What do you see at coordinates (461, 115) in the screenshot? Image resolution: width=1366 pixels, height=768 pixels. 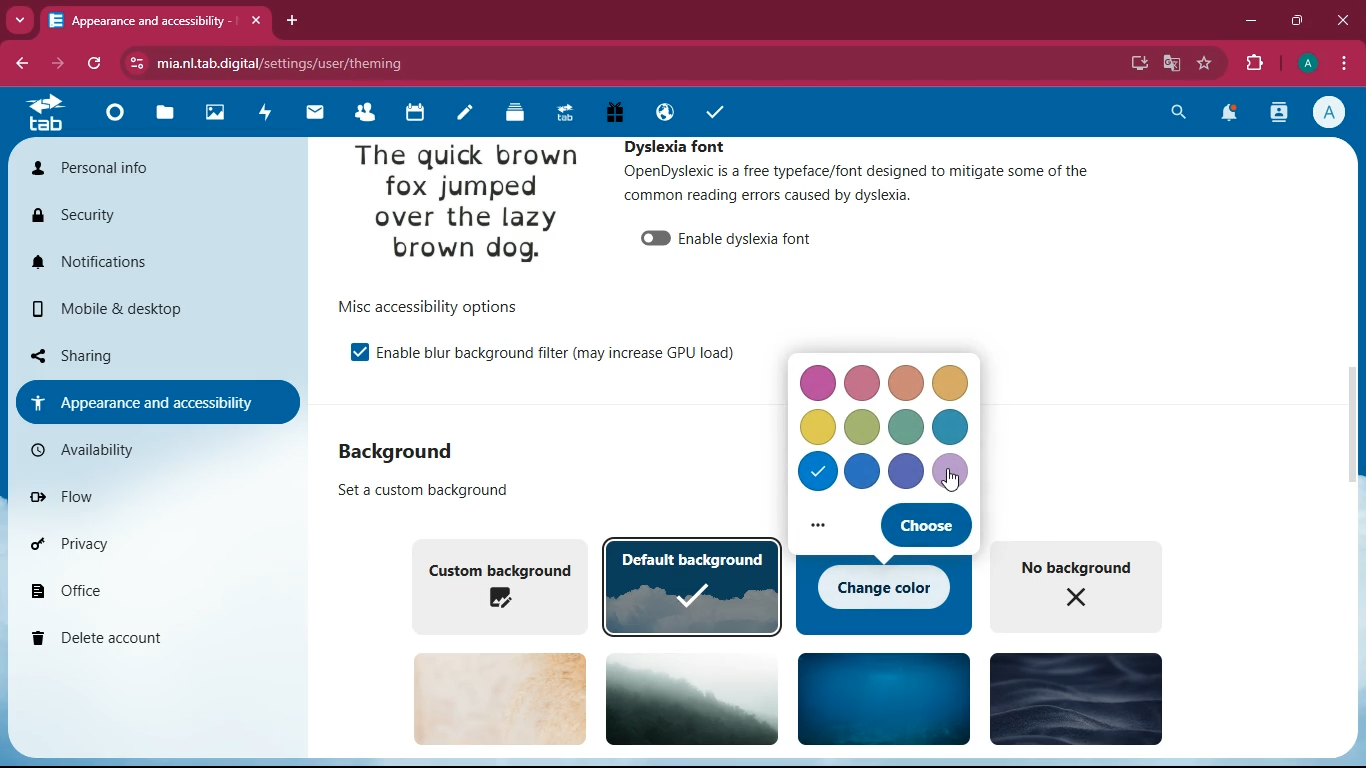 I see `notes` at bounding box center [461, 115].